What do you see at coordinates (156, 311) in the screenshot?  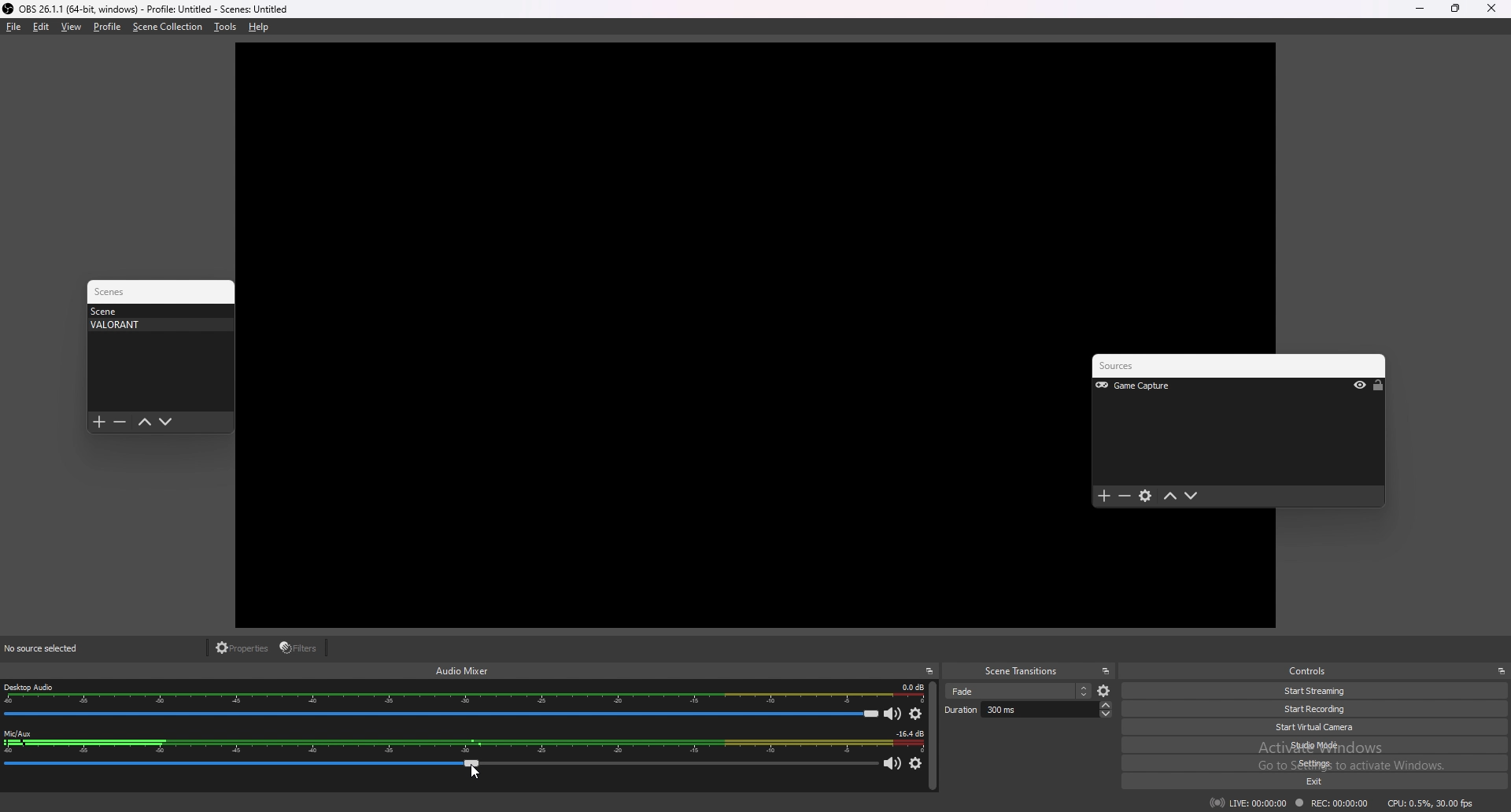 I see `scene` at bounding box center [156, 311].